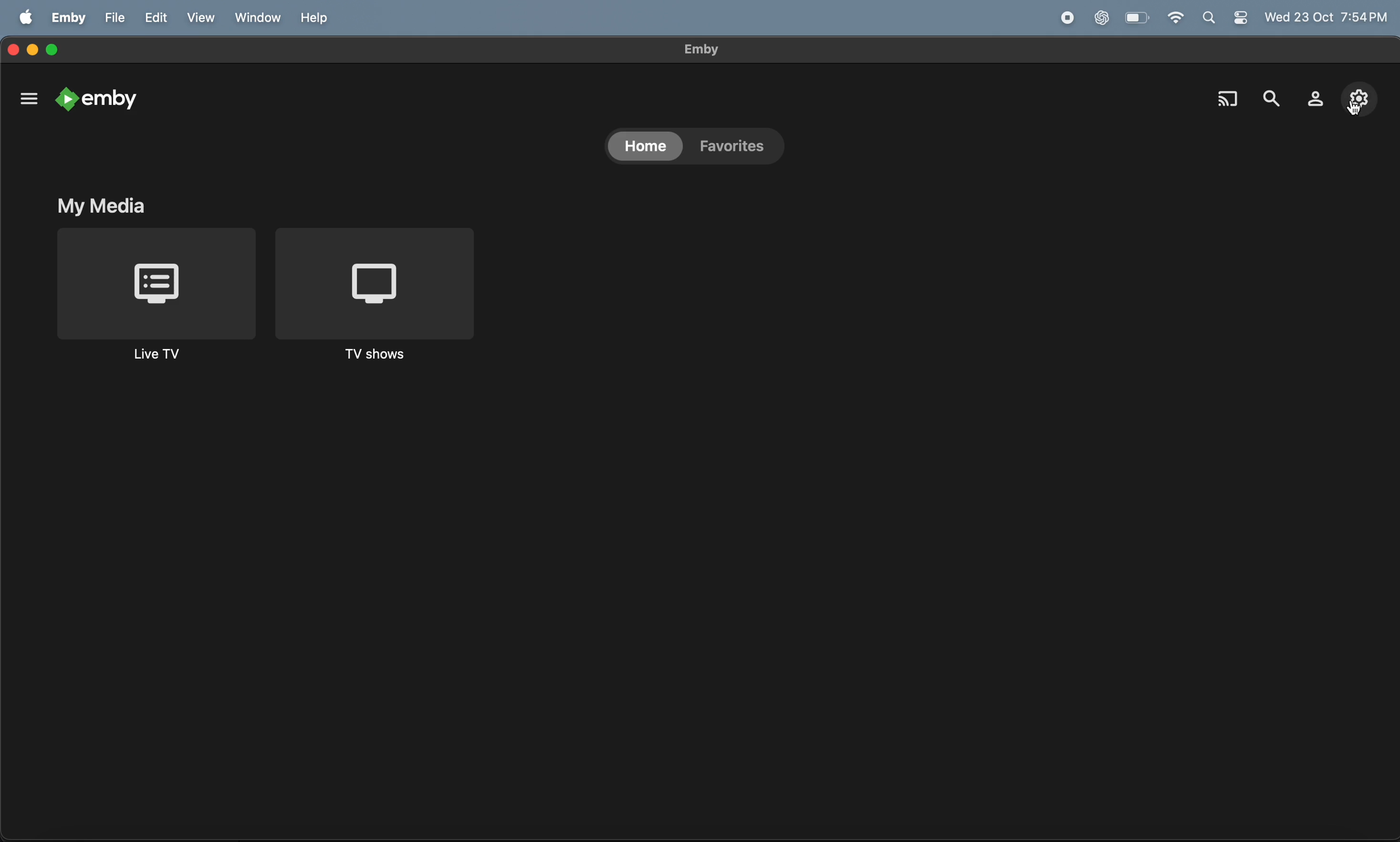 The image size is (1400, 842). I want to click on emby, so click(103, 97).